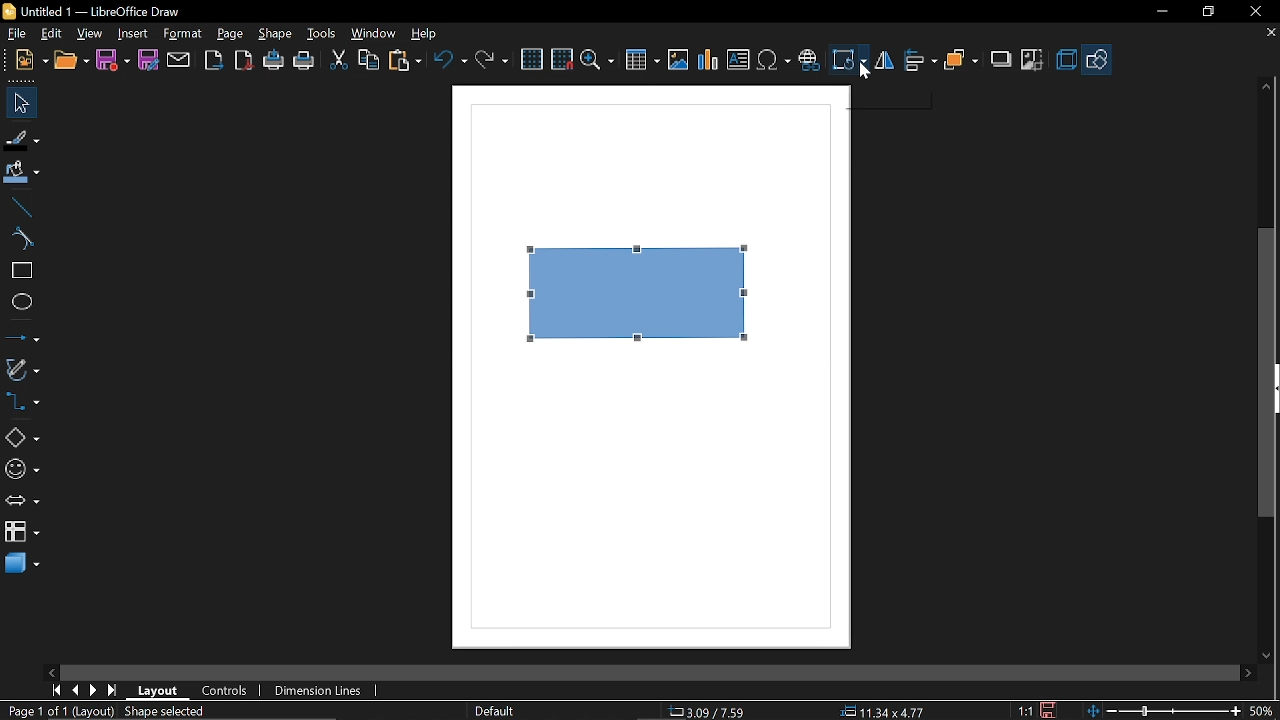 Image resolution: width=1280 pixels, height=720 pixels. What do you see at coordinates (738, 61) in the screenshot?
I see `insert text` at bounding box center [738, 61].